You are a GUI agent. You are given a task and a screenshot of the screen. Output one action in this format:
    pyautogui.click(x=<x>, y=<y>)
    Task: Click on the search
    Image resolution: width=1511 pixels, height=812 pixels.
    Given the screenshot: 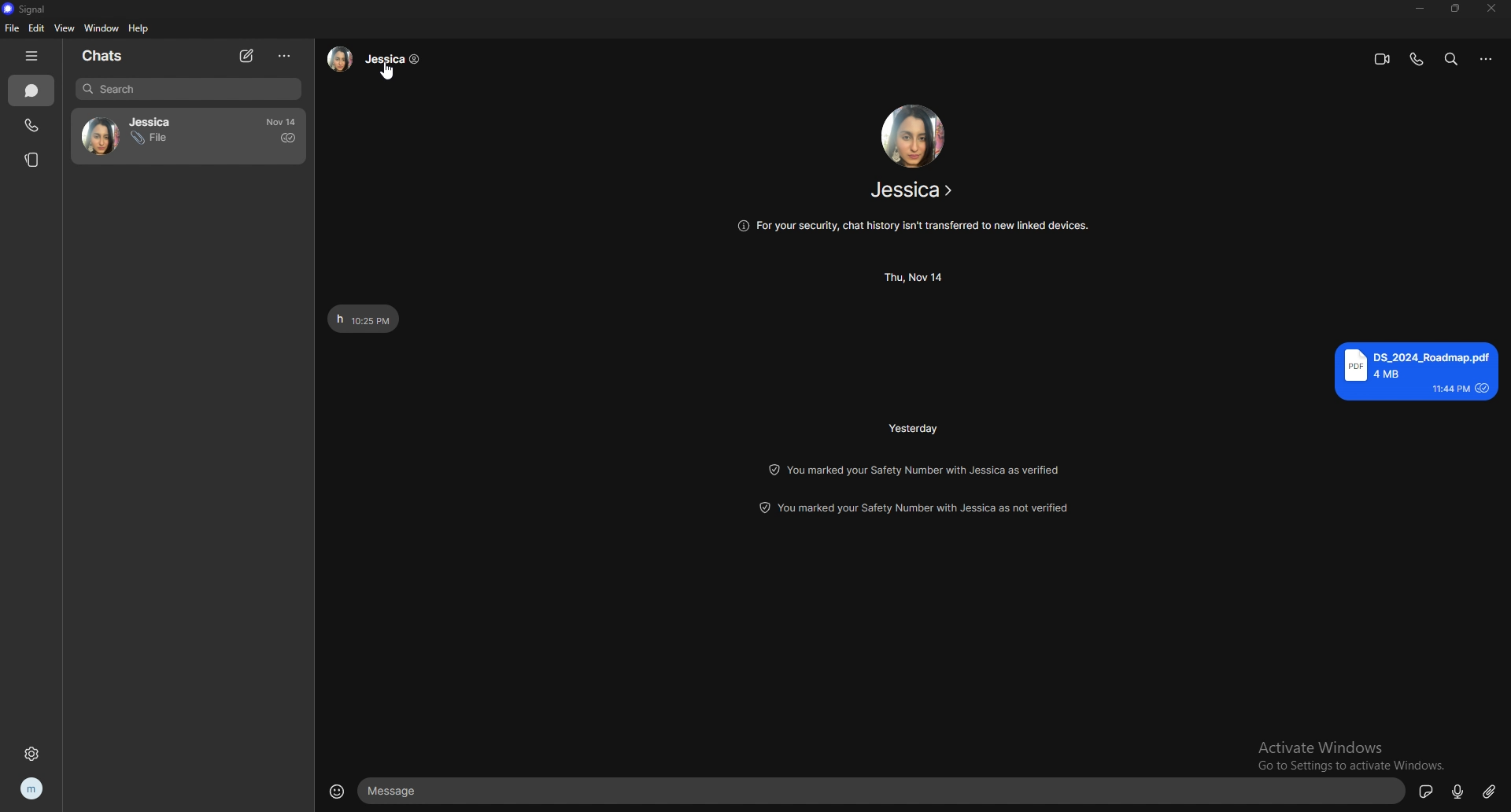 What is the action you would take?
    pyautogui.click(x=190, y=89)
    